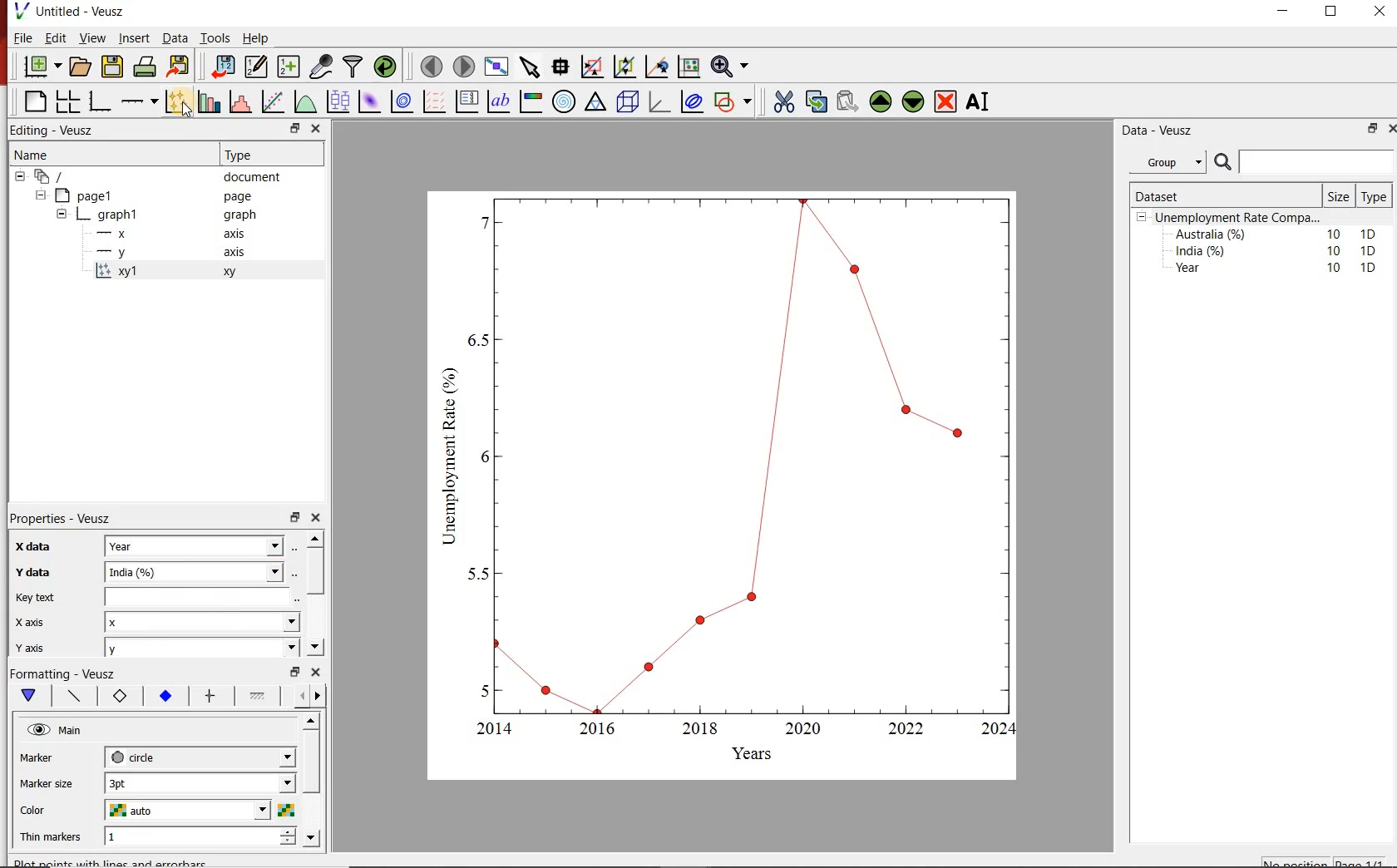  Describe the element at coordinates (981, 101) in the screenshot. I see `rename the widgets` at that location.